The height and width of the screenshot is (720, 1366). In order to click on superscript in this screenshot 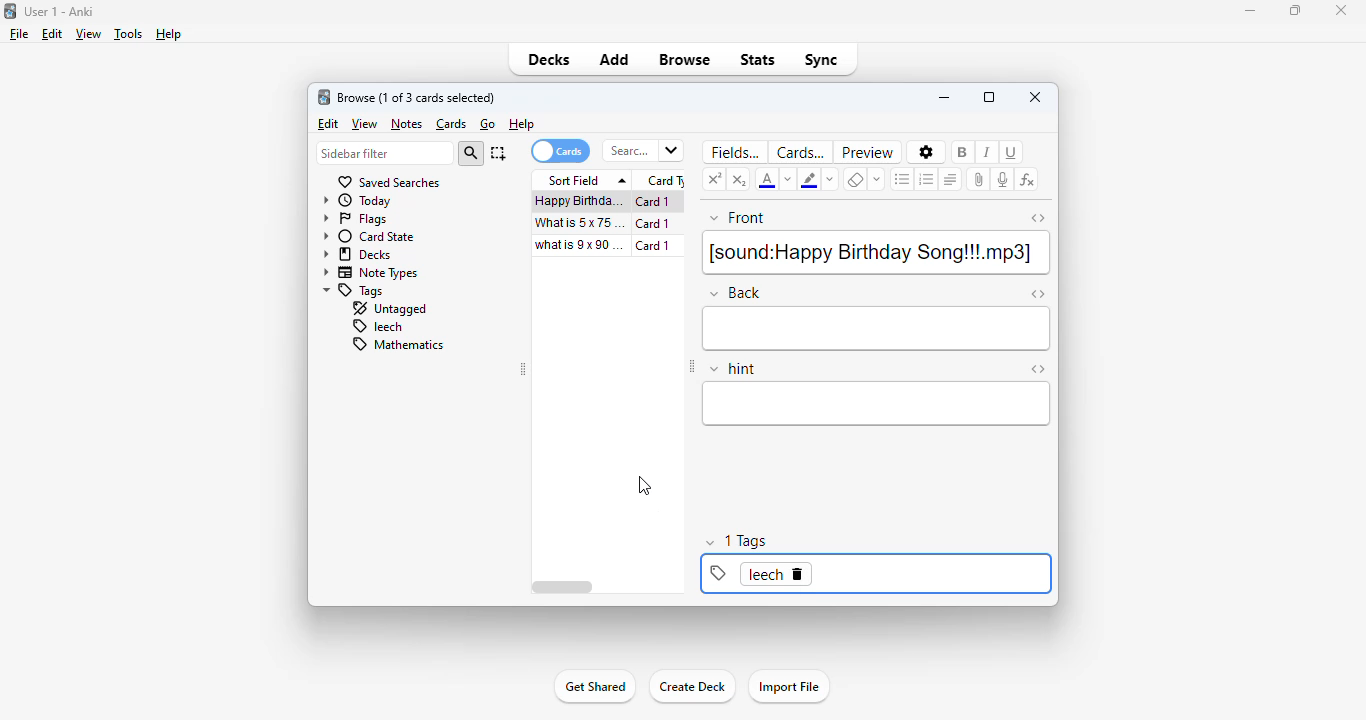, I will do `click(715, 178)`.